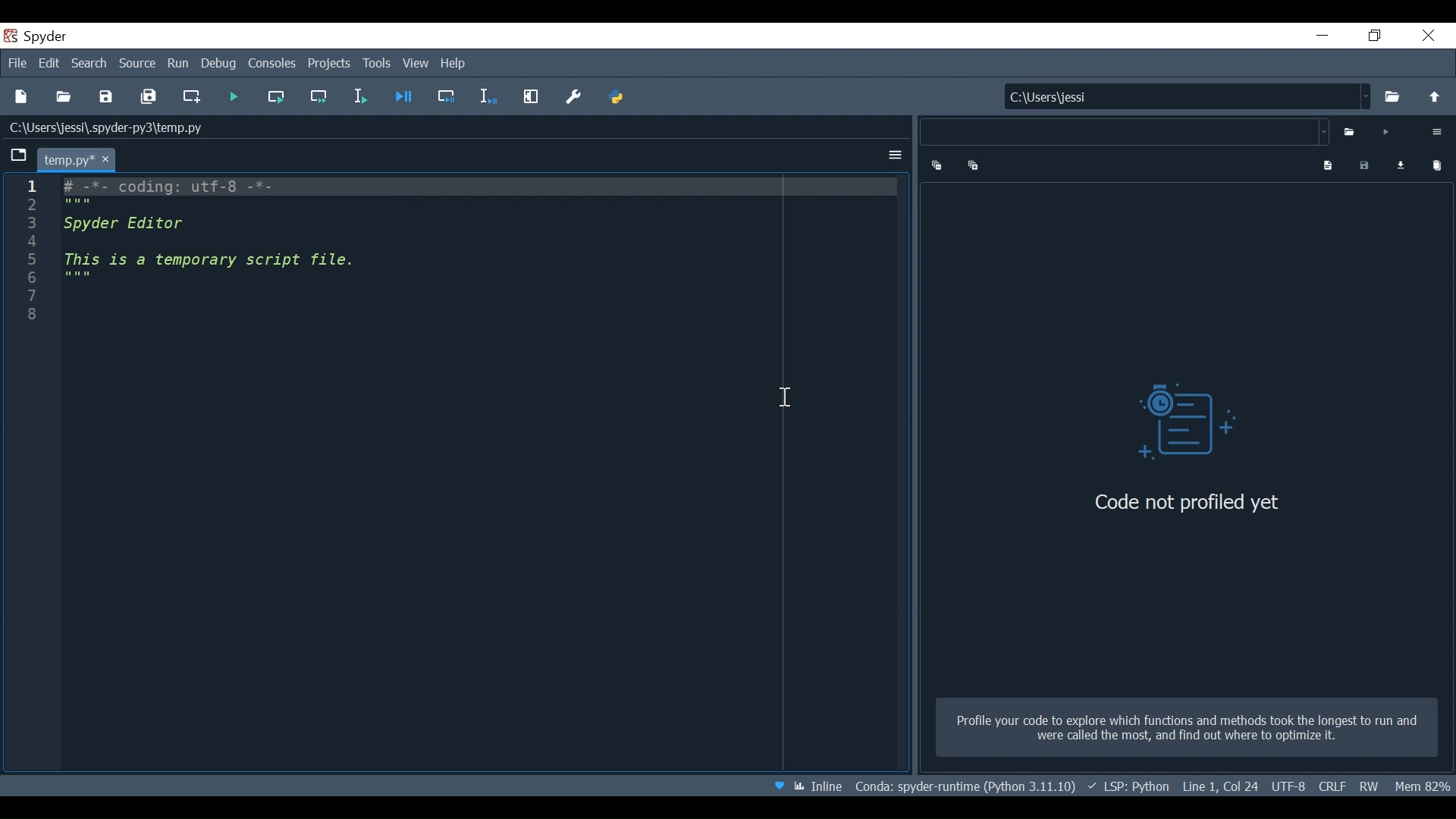 Image resolution: width=1456 pixels, height=819 pixels. I want to click on spyder, so click(53, 35).